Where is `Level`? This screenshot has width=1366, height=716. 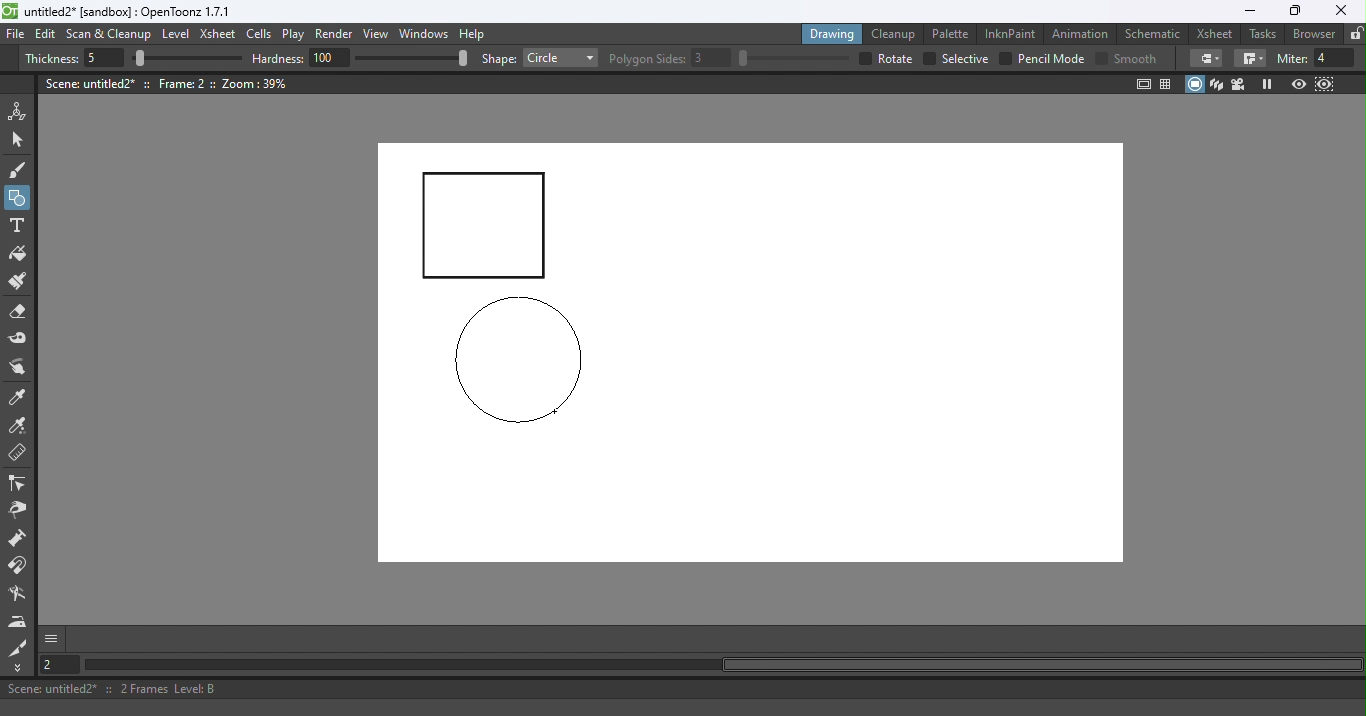 Level is located at coordinates (176, 35).